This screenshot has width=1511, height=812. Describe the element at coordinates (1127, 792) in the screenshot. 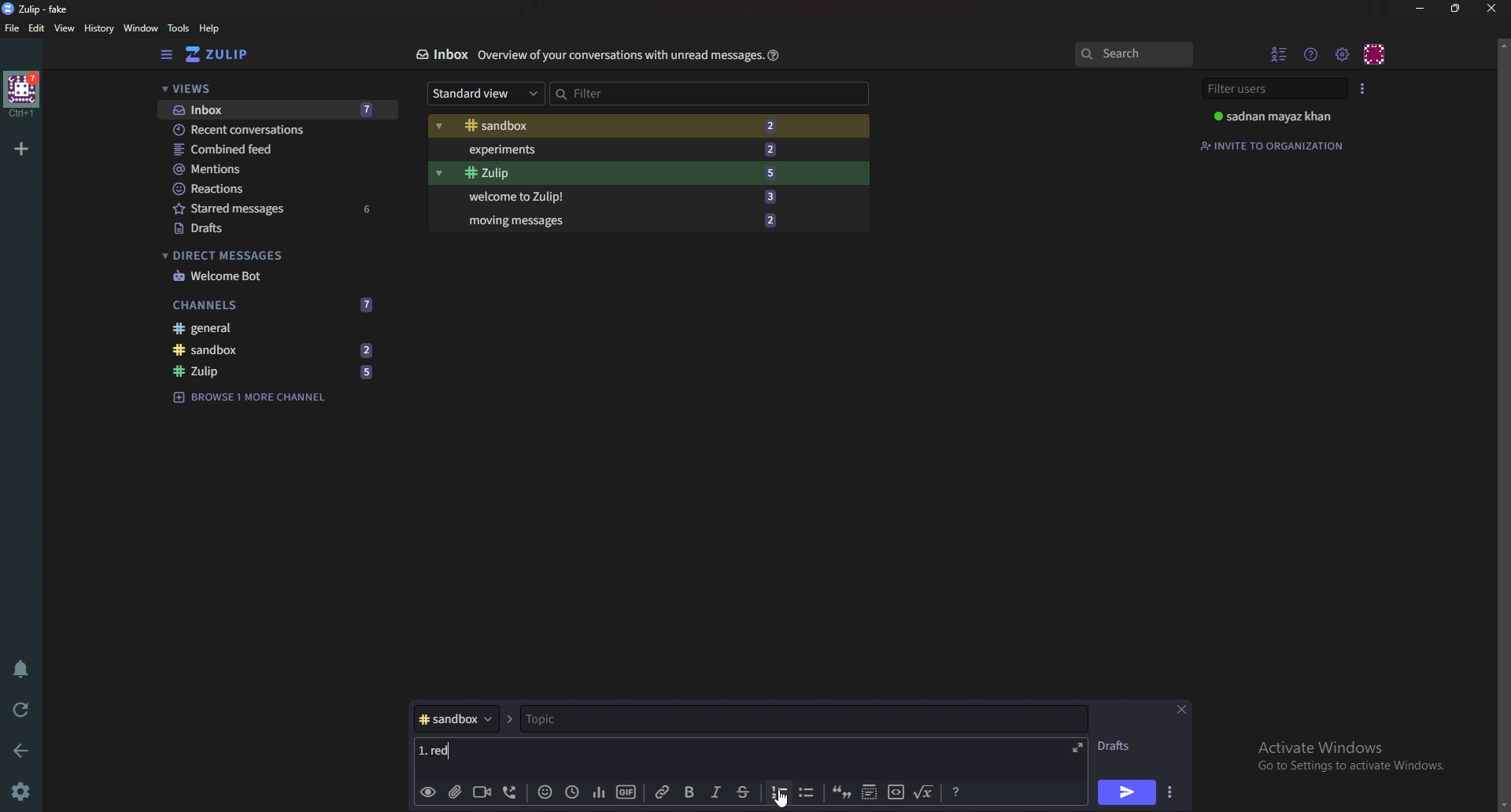

I see `Send` at that location.